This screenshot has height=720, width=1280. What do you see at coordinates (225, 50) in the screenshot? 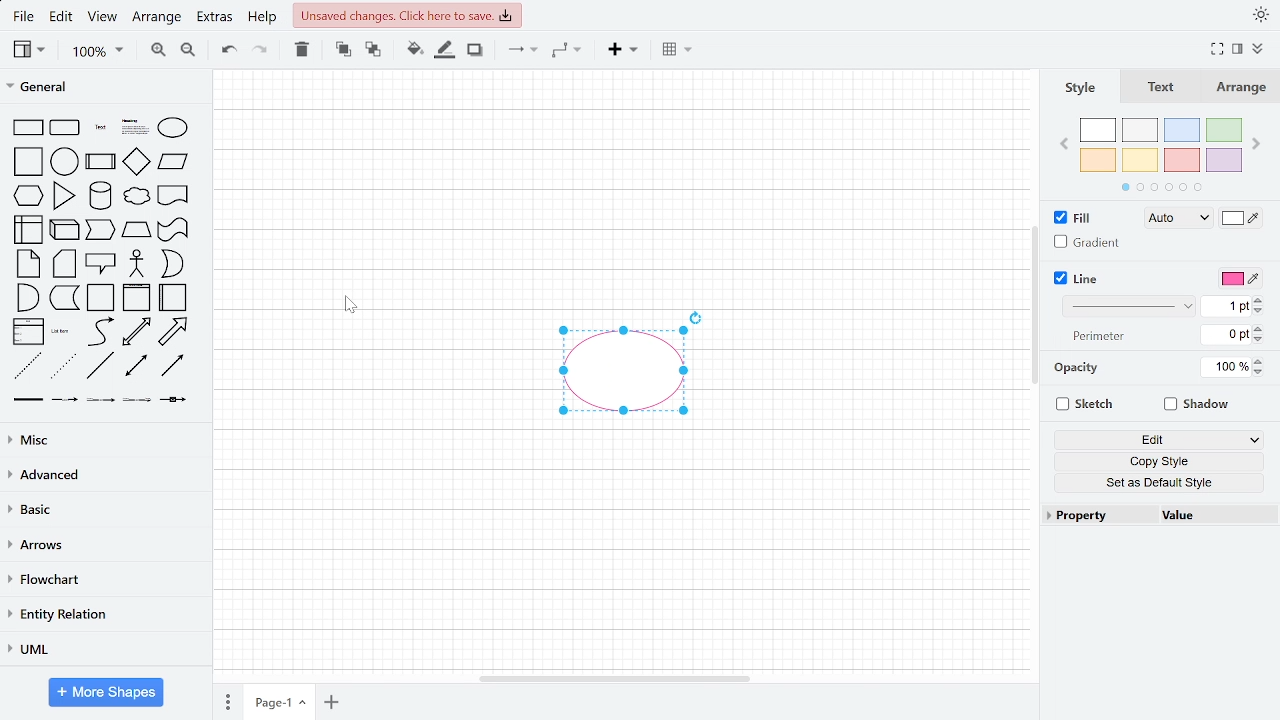
I see `undo` at bounding box center [225, 50].